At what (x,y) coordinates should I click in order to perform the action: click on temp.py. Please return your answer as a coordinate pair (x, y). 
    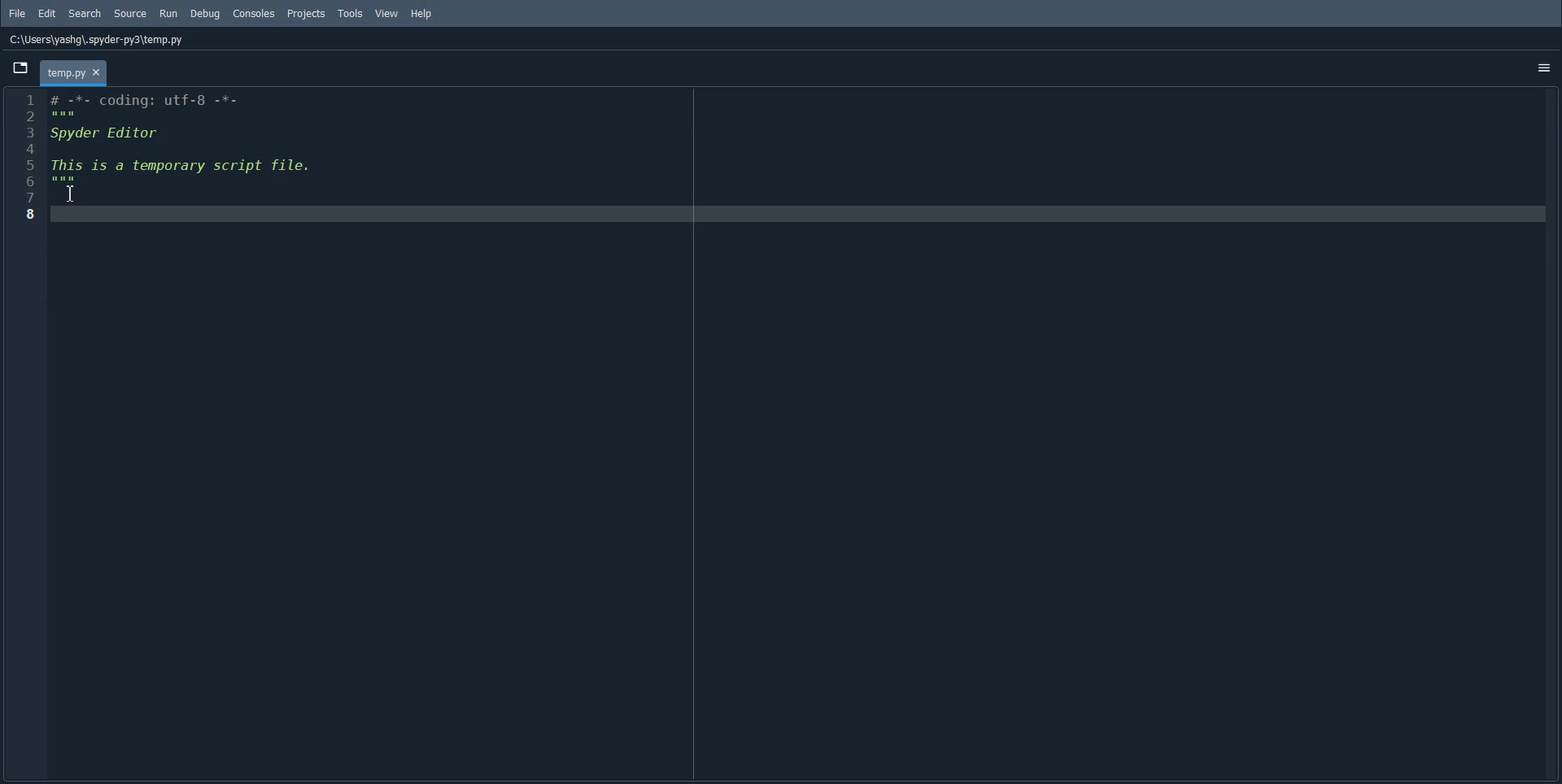
    Looking at the image, I should click on (75, 72).